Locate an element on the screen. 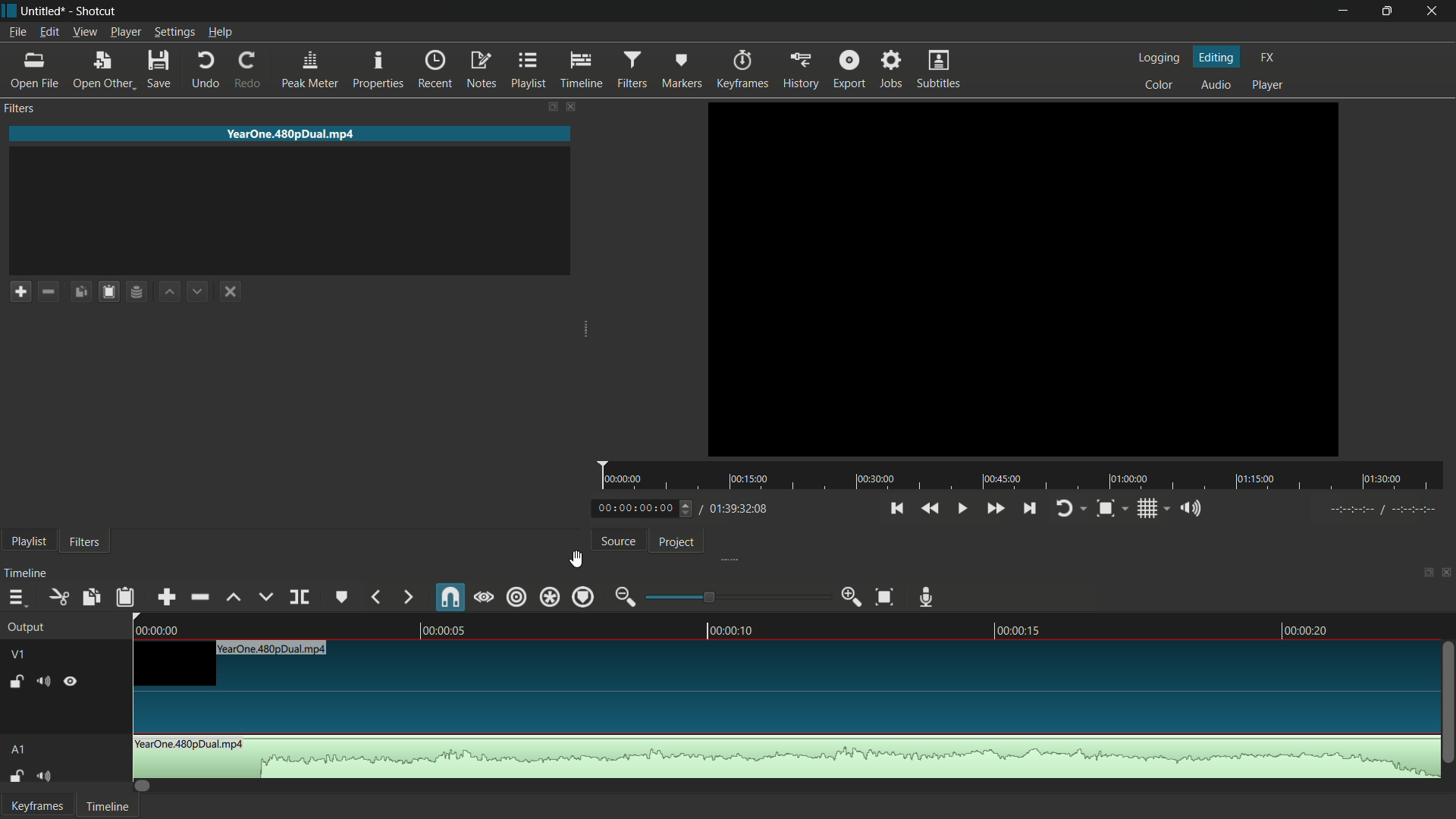 The height and width of the screenshot is (819, 1456). remove a filter is located at coordinates (52, 291).